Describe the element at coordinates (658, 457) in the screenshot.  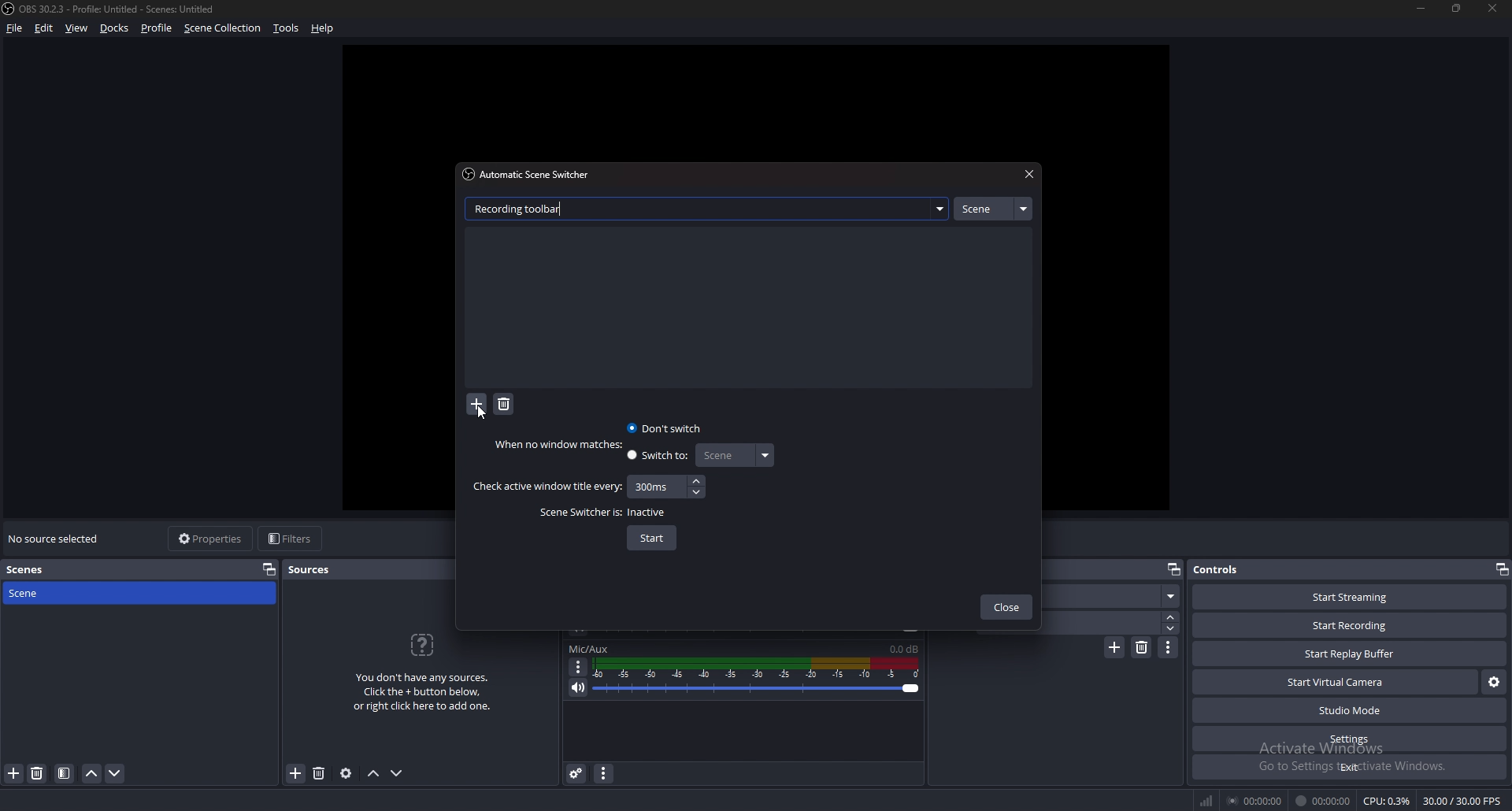
I see `switch to` at that location.